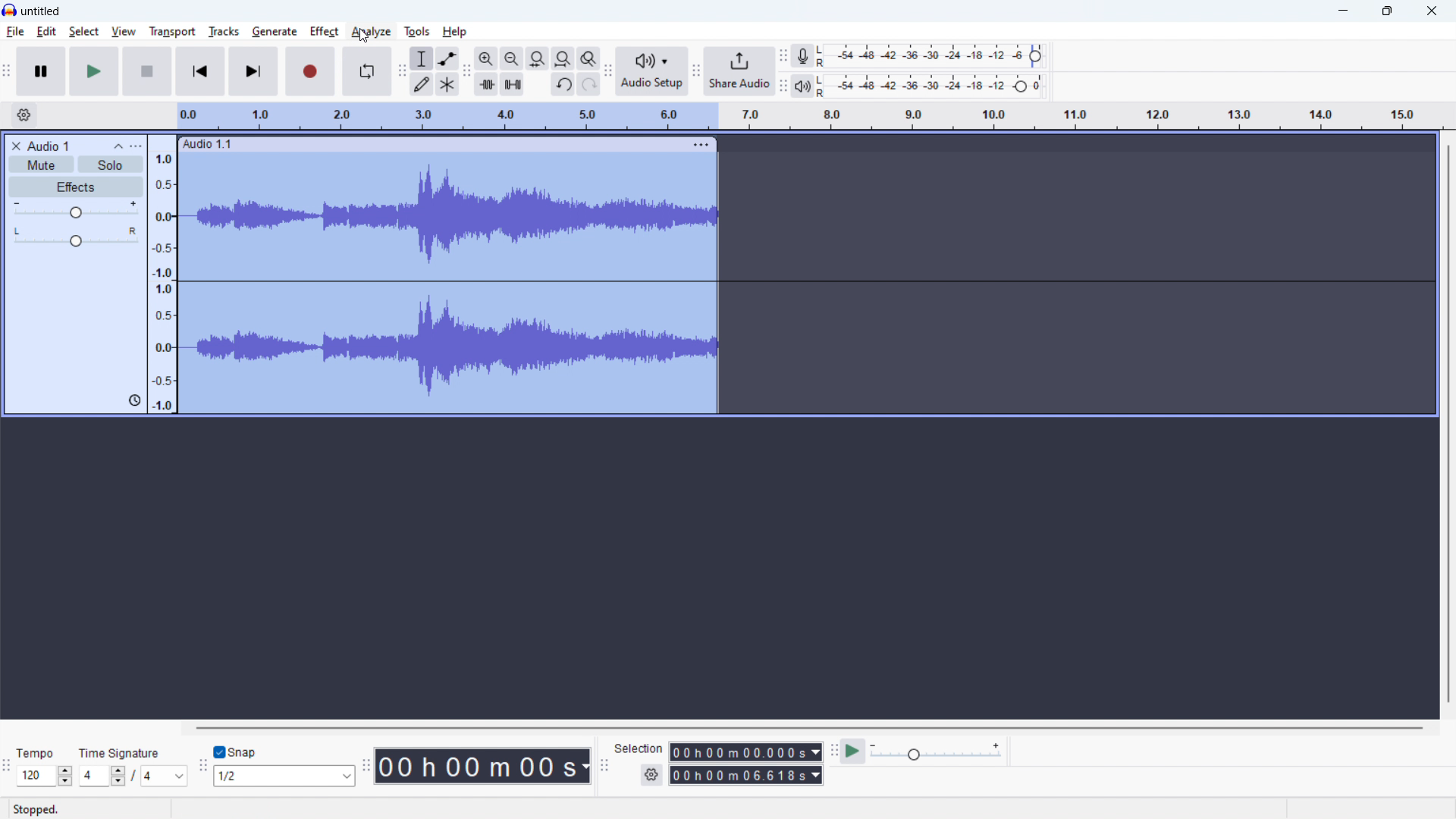  I want to click on playback meter toolbar, so click(782, 86).